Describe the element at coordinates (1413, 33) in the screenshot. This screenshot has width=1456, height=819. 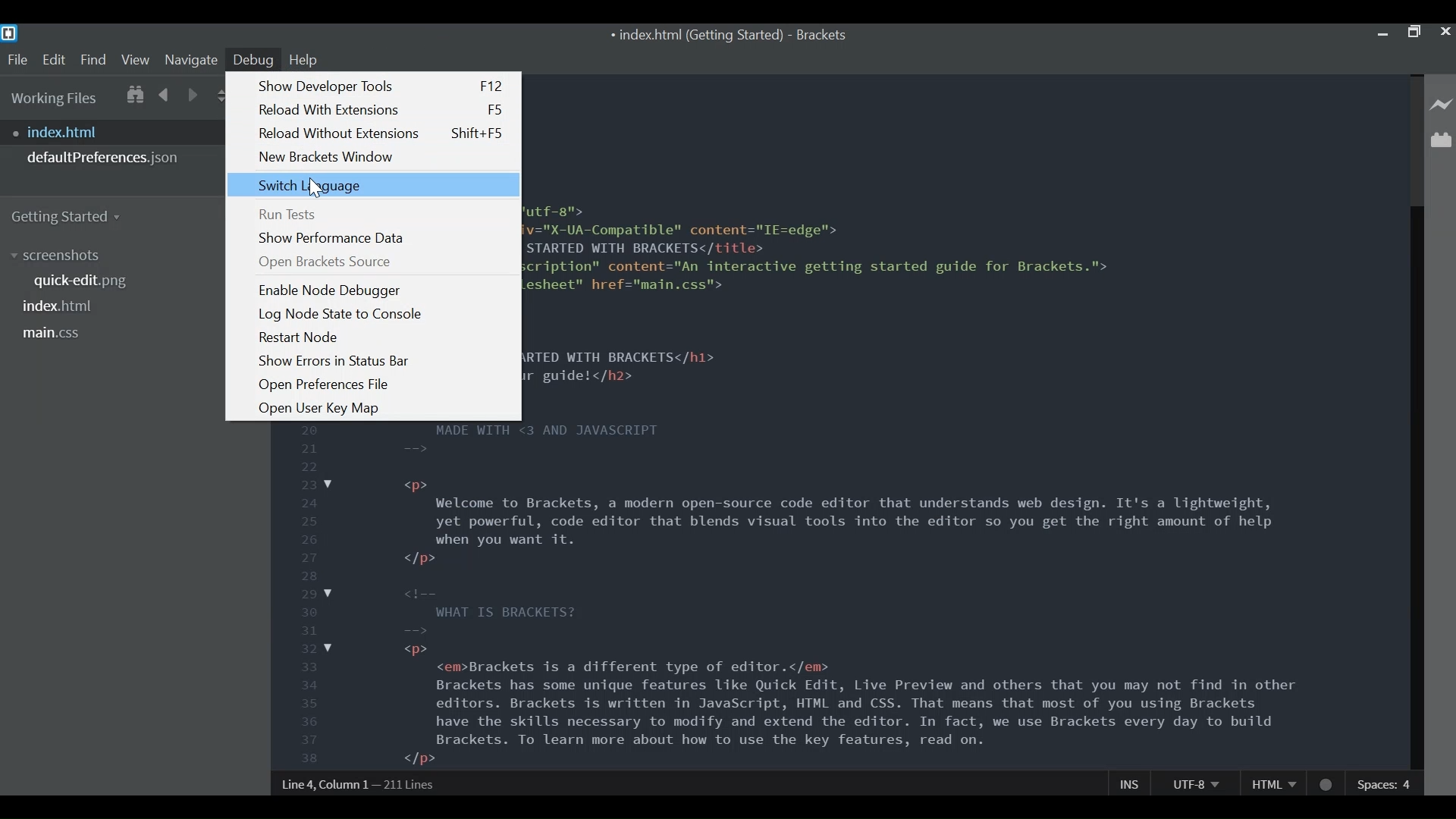
I see `Restore` at that location.